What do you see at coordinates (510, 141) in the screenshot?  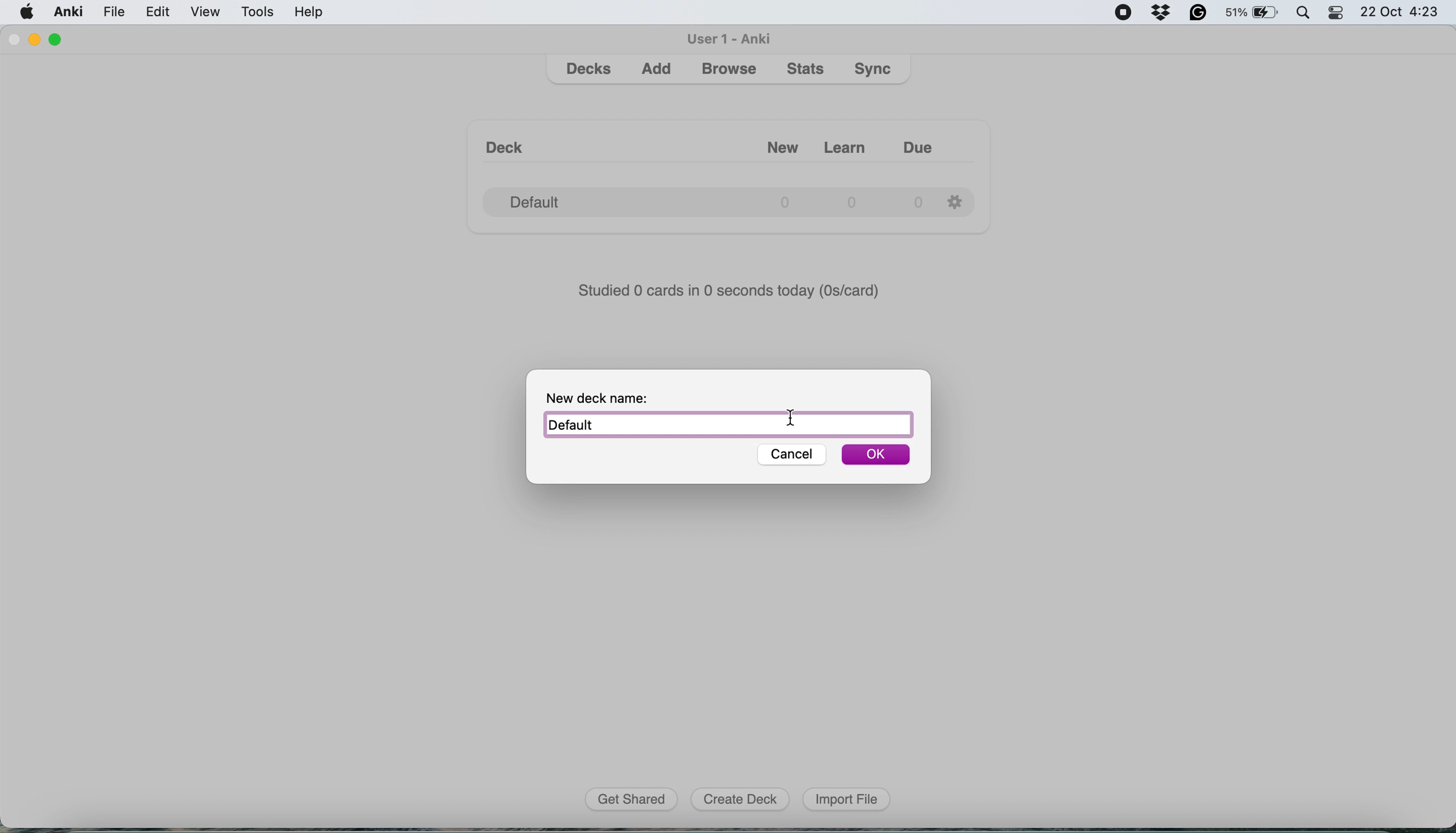 I see `Deck` at bounding box center [510, 141].